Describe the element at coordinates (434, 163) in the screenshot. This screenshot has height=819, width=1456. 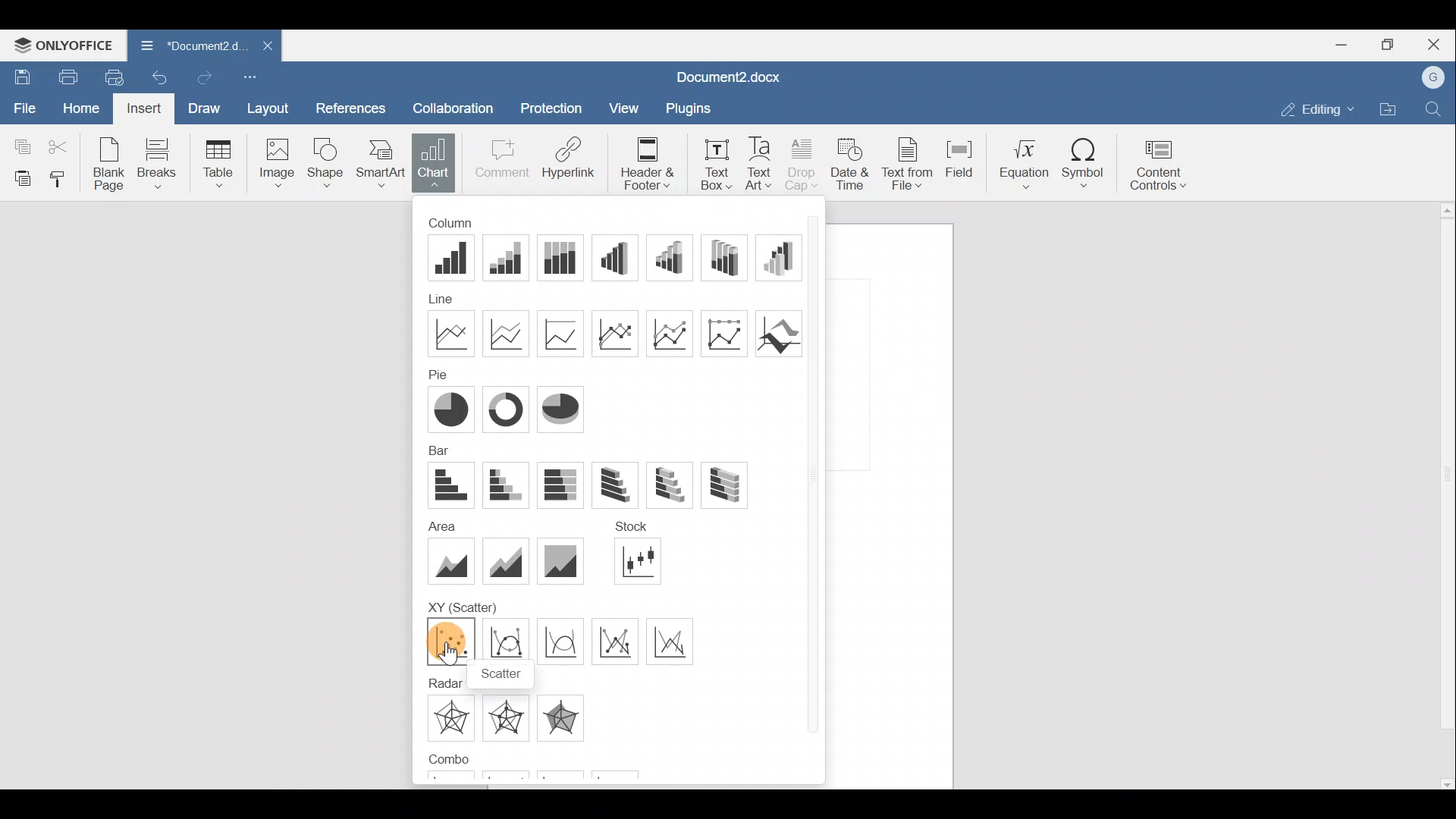
I see `Chart` at that location.